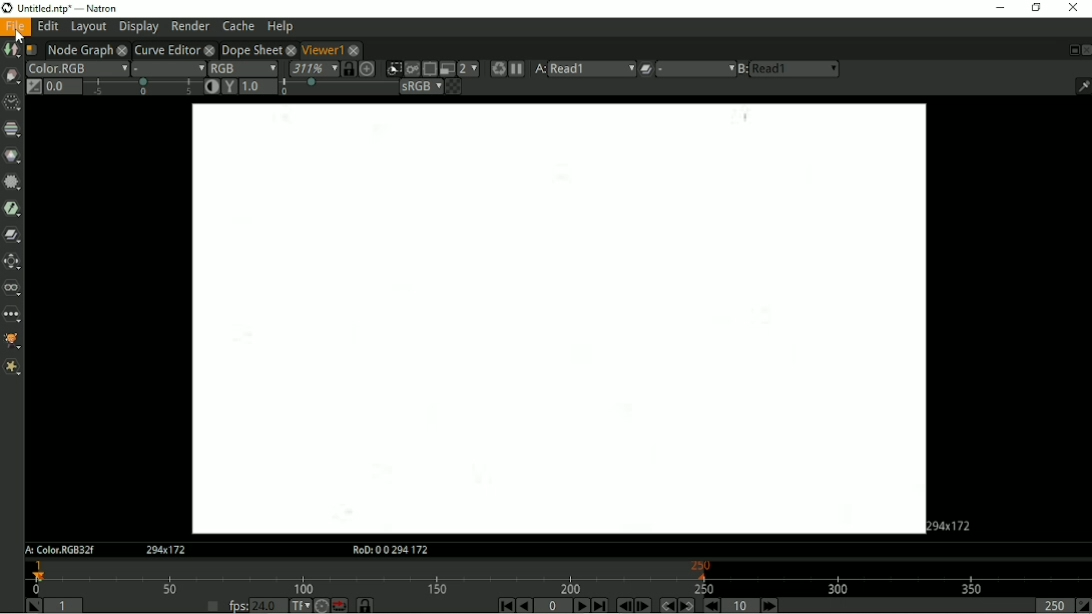 This screenshot has width=1092, height=614. What do you see at coordinates (390, 550) in the screenshot?
I see `RoD` at bounding box center [390, 550].